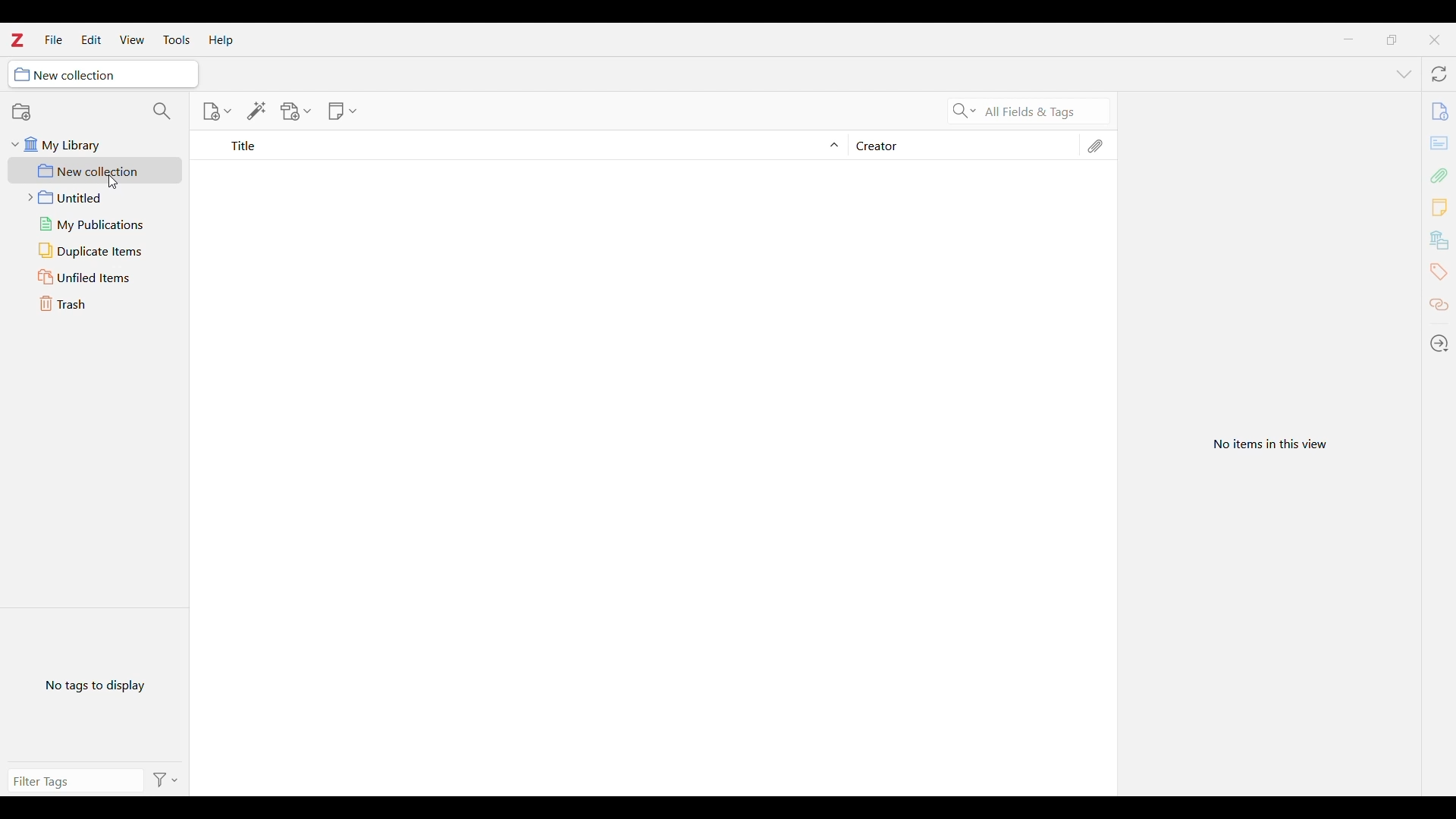 This screenshot has width=1456, height=819. Describe the element at coordinates (1348, 39) in the screenshot. I see `Minimize` at that location.